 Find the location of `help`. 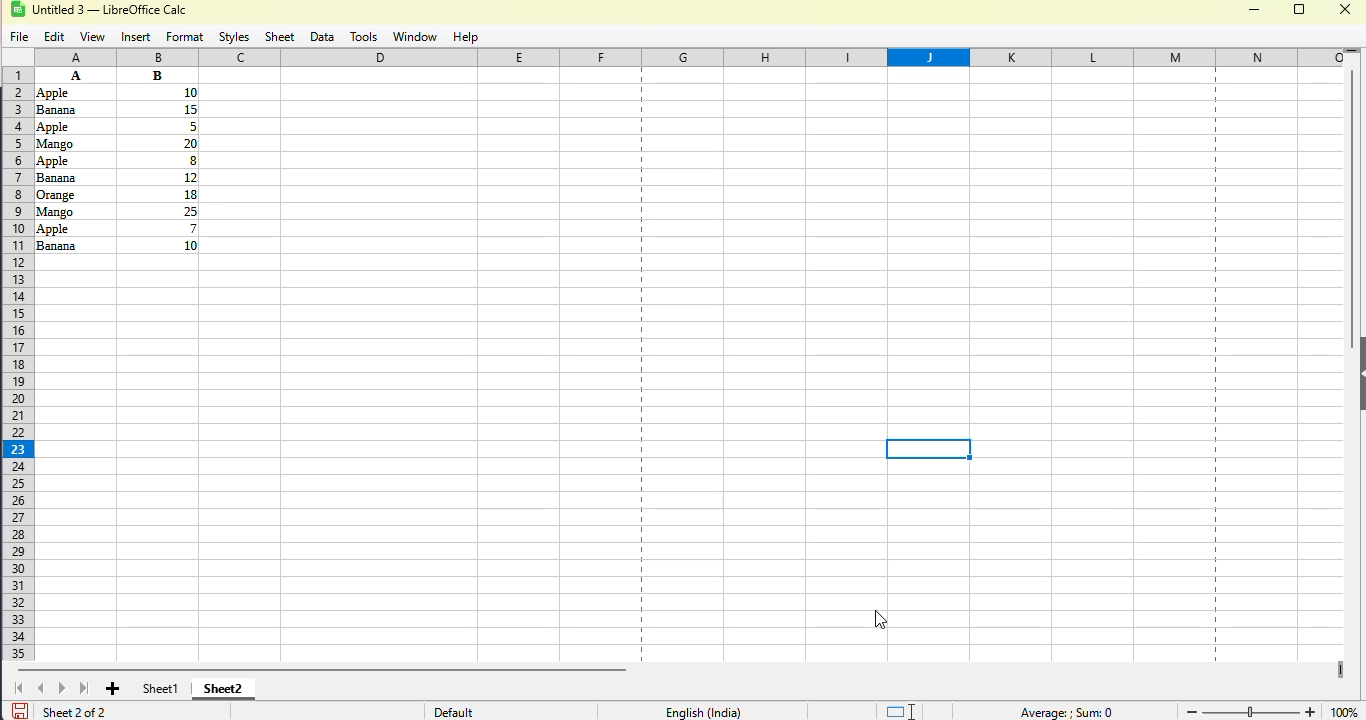

help is located at coordinates (464, 37).